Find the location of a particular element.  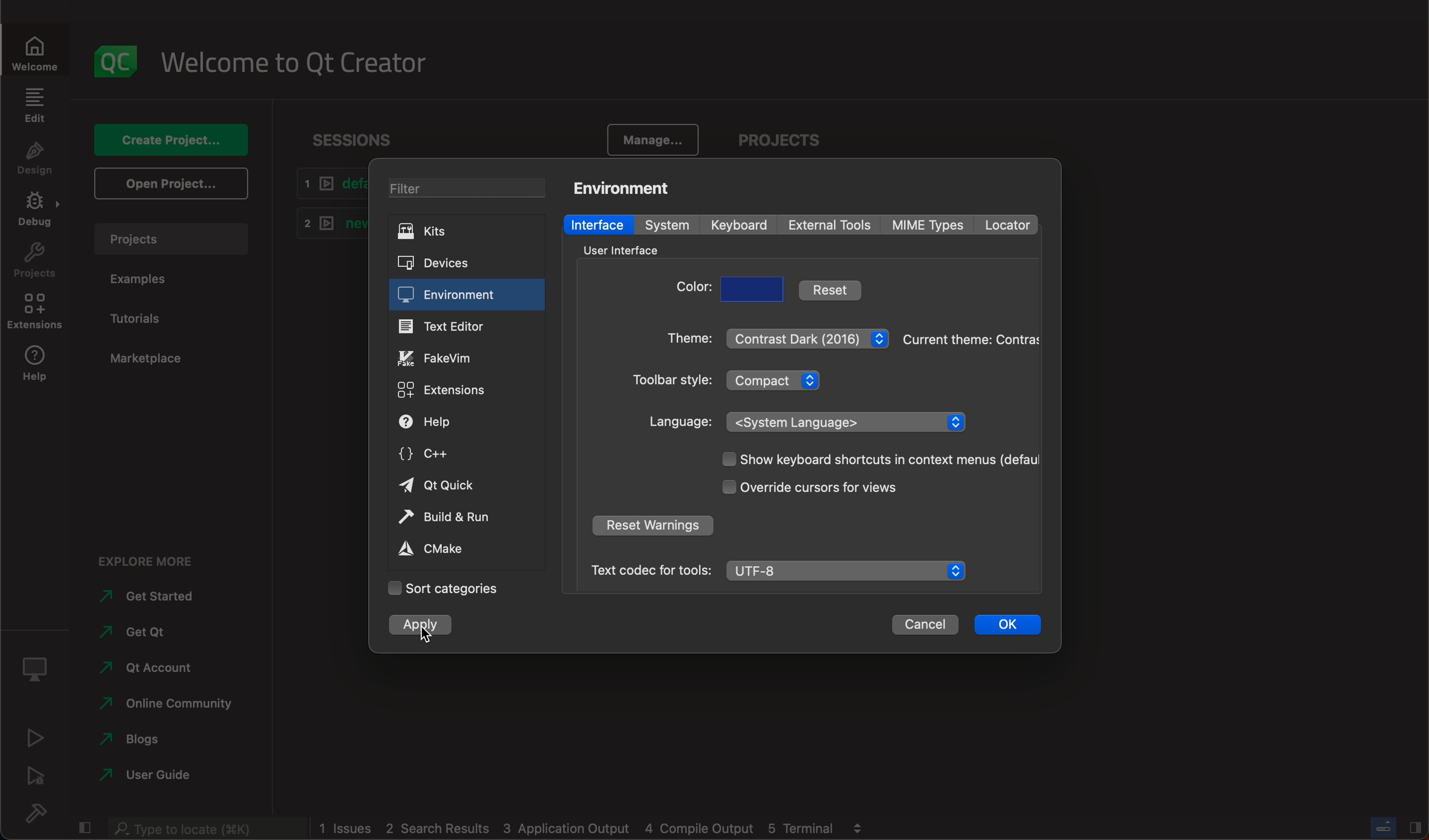

projects is located at coordinates (785, 135).